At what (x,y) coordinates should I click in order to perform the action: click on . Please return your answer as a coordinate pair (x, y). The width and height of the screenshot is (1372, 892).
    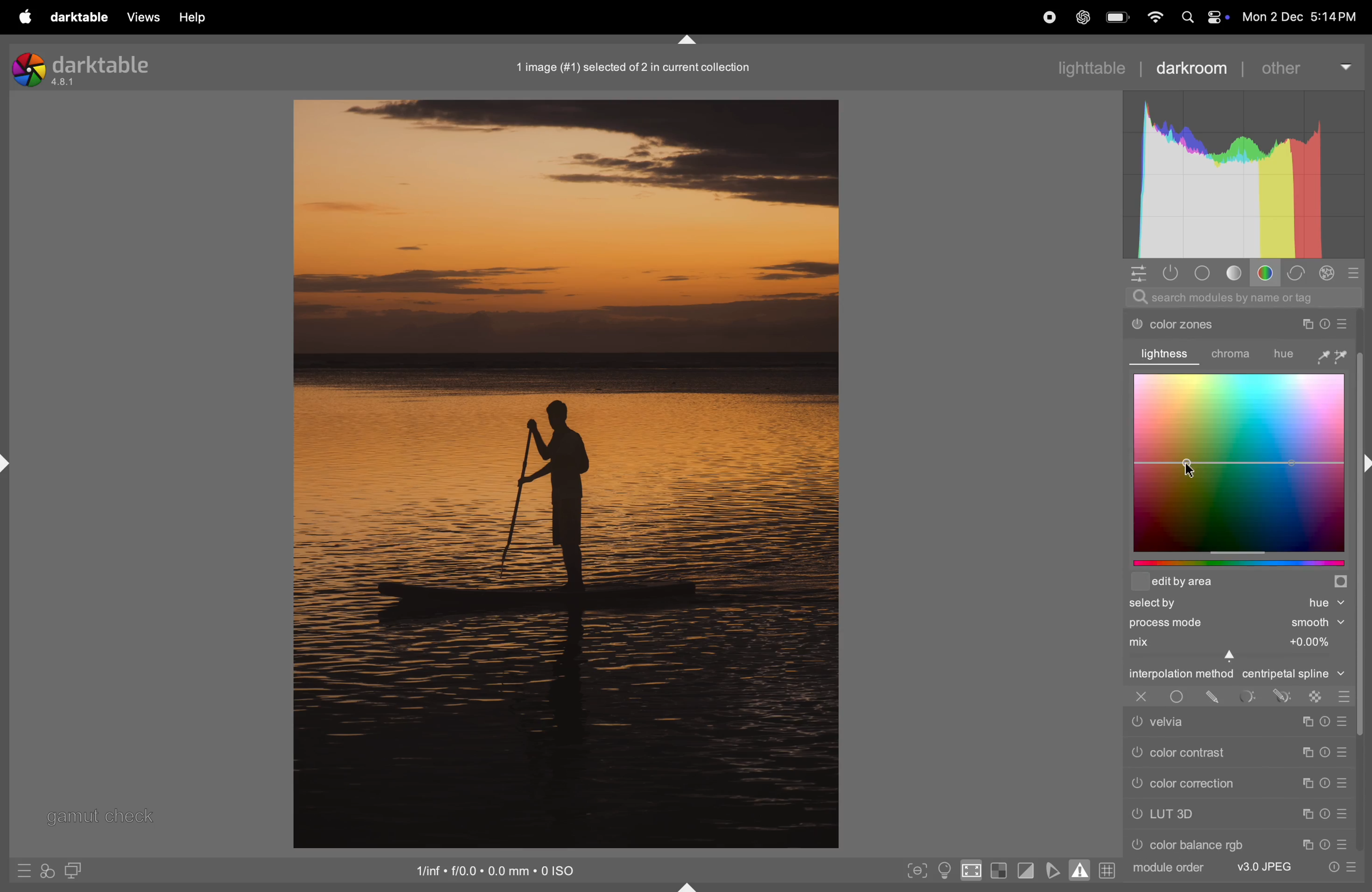
    Looking at the image, I should click on (1175, 695).